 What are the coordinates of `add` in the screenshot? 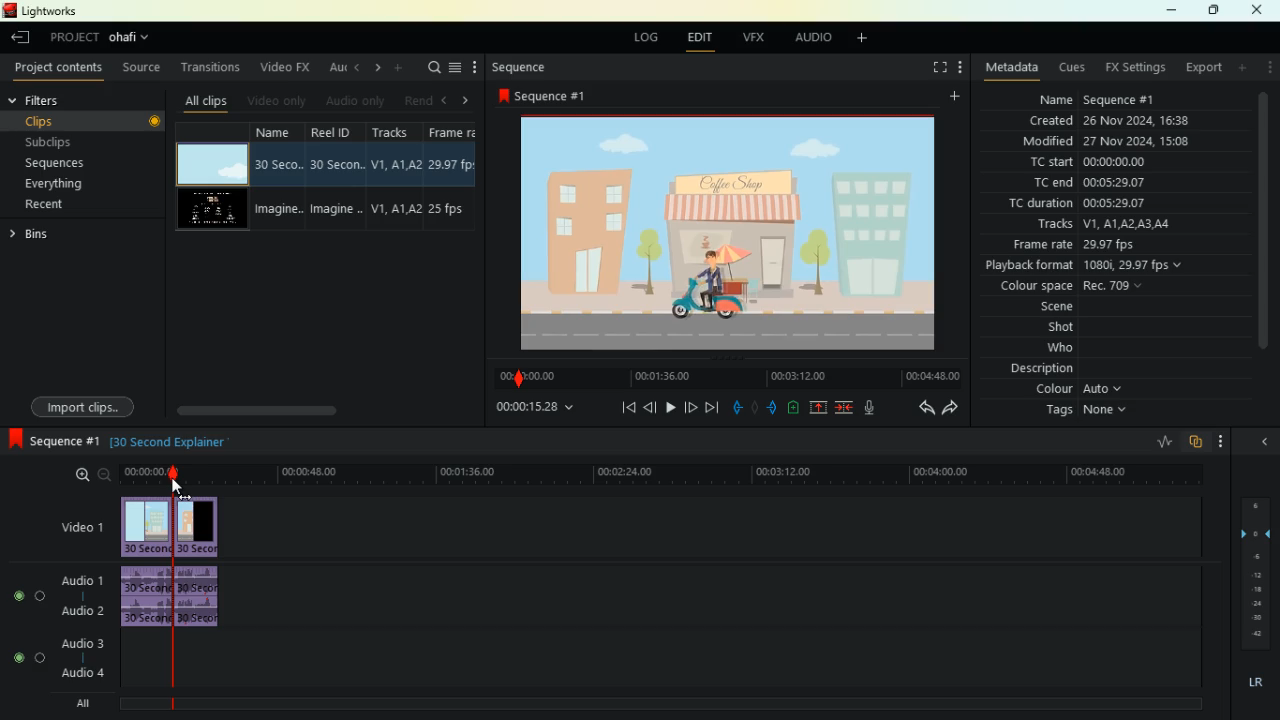 It's located at (402, 68).